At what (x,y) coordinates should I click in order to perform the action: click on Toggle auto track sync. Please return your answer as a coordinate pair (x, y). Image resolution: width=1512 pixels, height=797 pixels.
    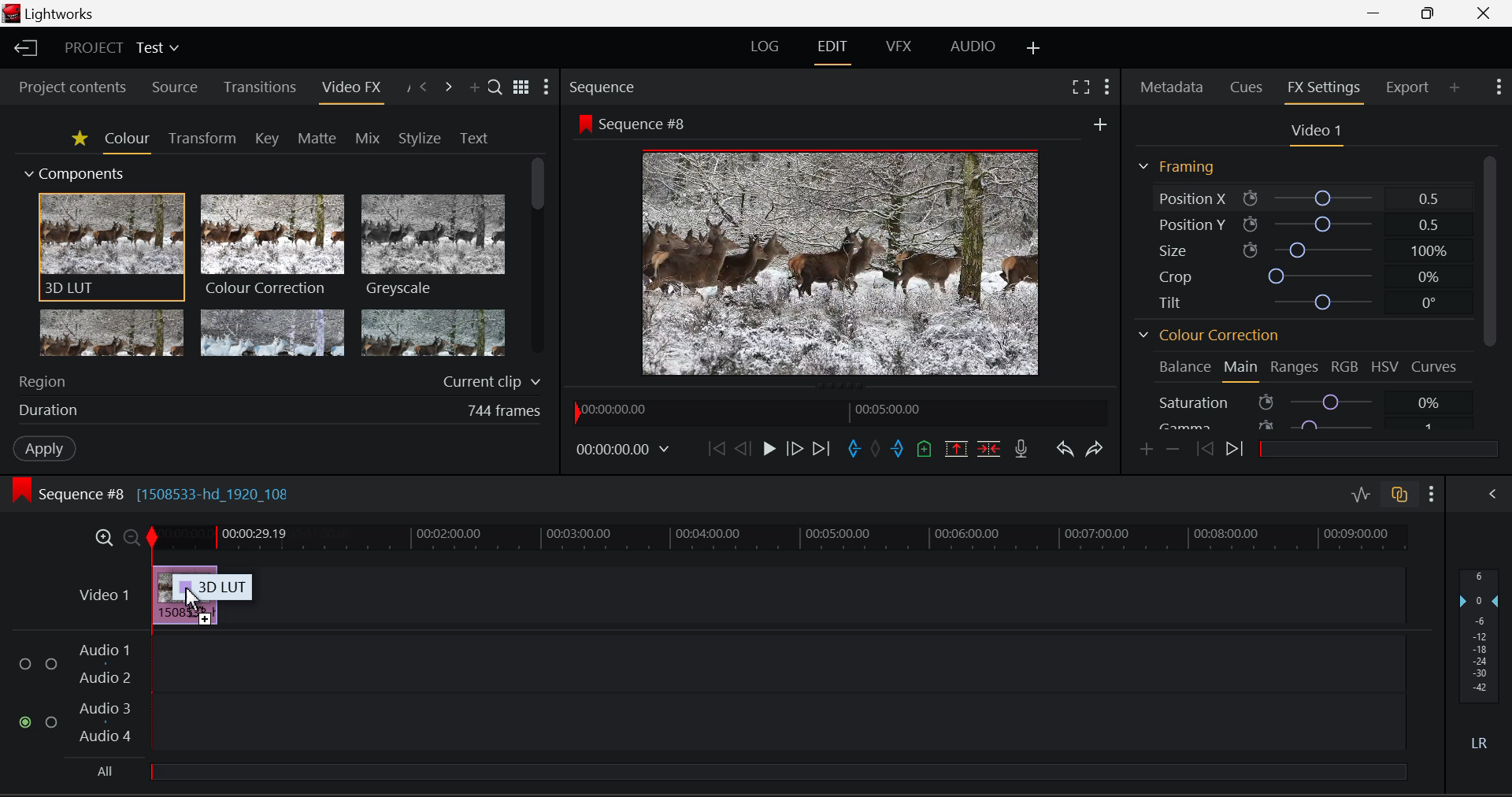
    Looking at the image, I should click on (1399, 495).